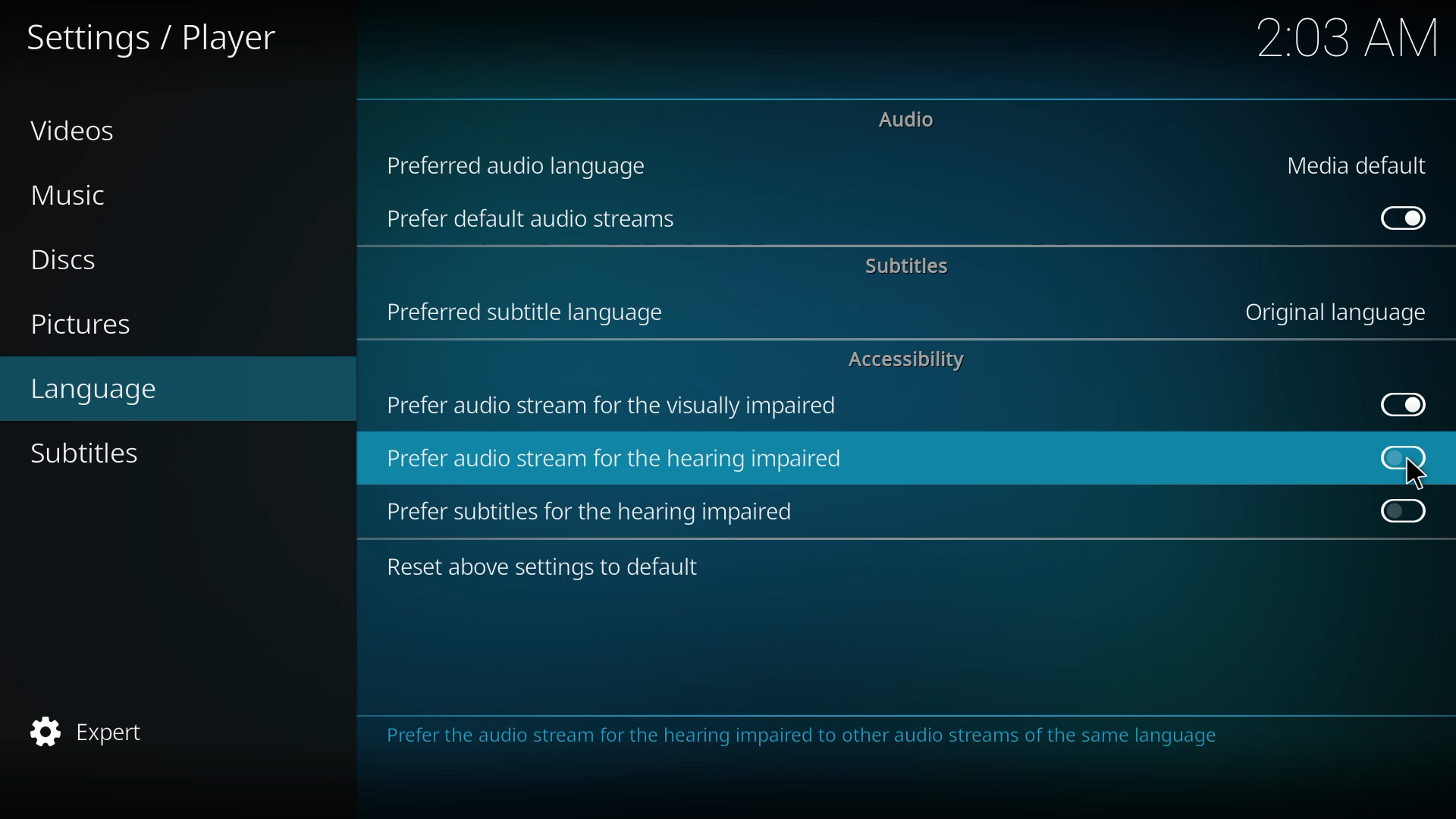 This screenshot has width=1456, height=819. I want to click on music, so click(71, 196).